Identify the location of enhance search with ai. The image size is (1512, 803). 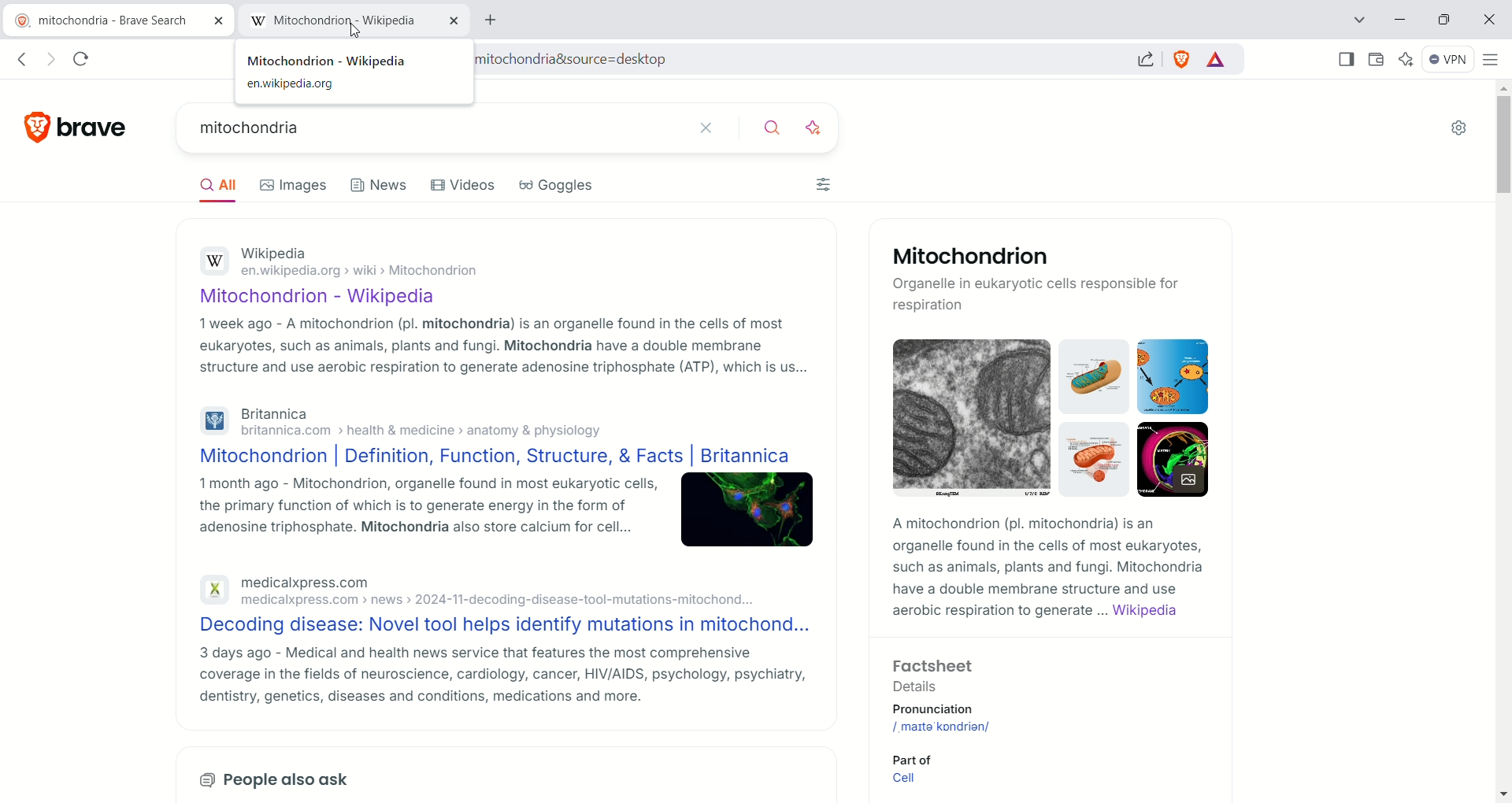
(815, 129).